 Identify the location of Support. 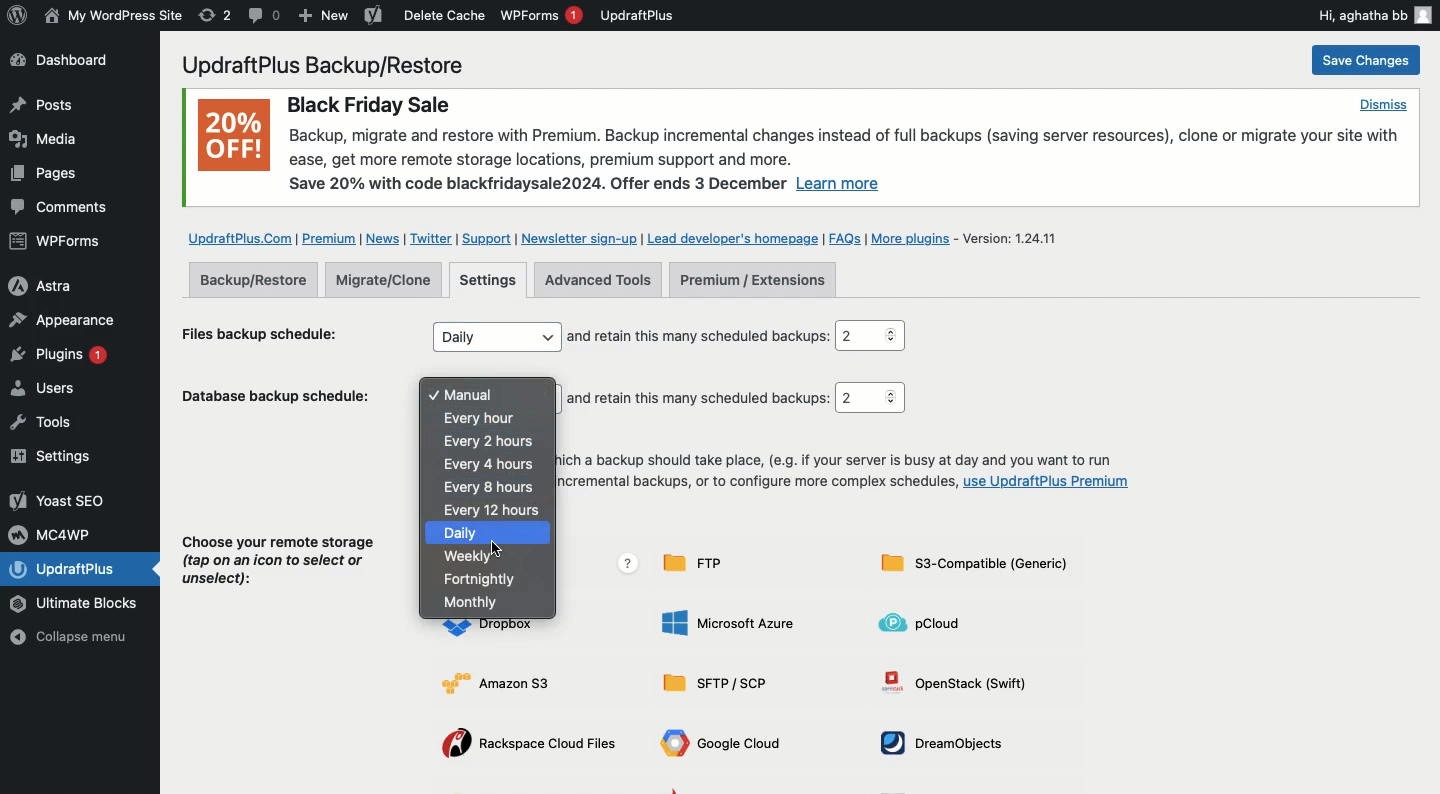
(485, 239).